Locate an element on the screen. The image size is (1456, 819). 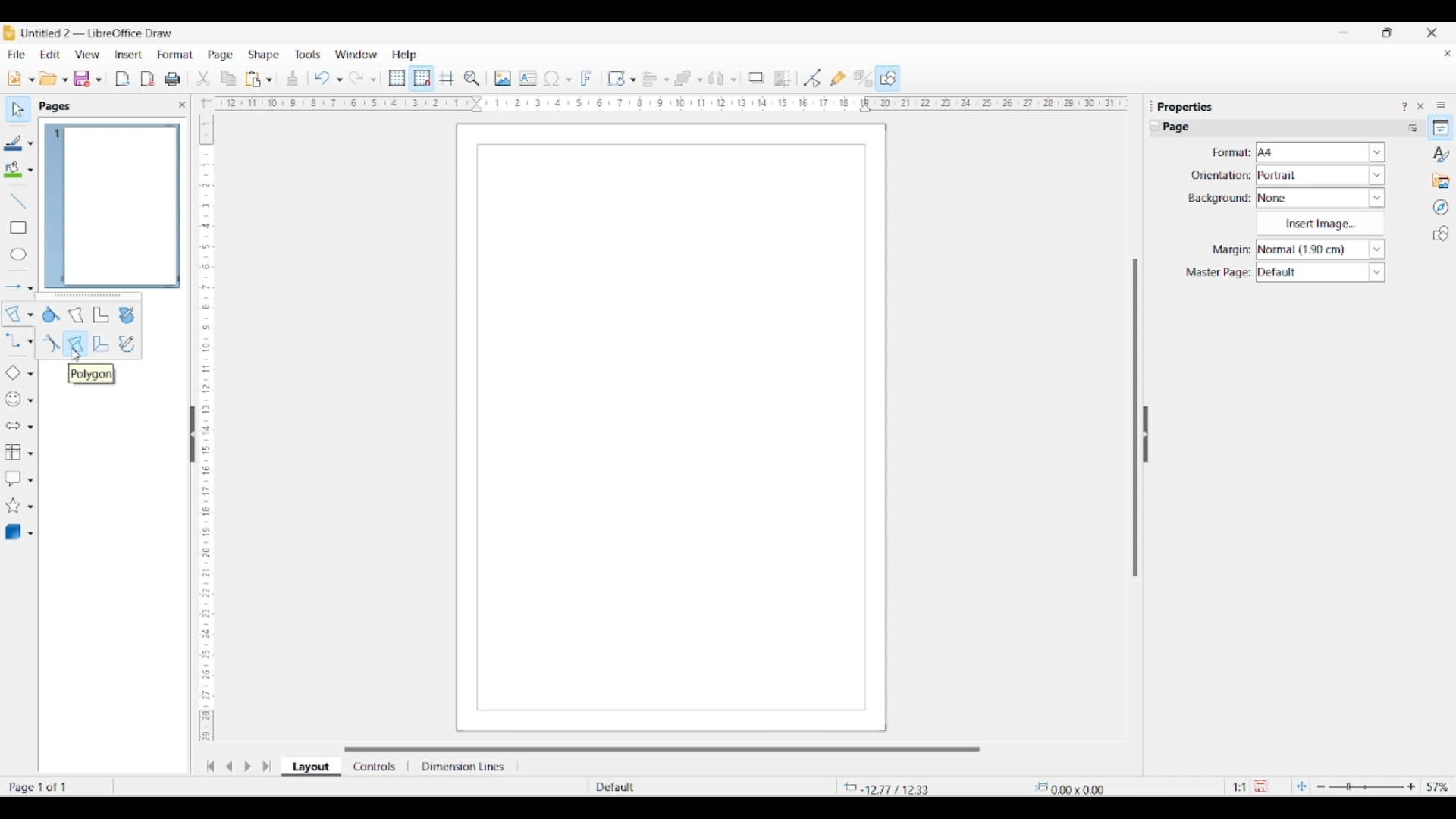
Clone formatting is located at coordinates (293, 78).